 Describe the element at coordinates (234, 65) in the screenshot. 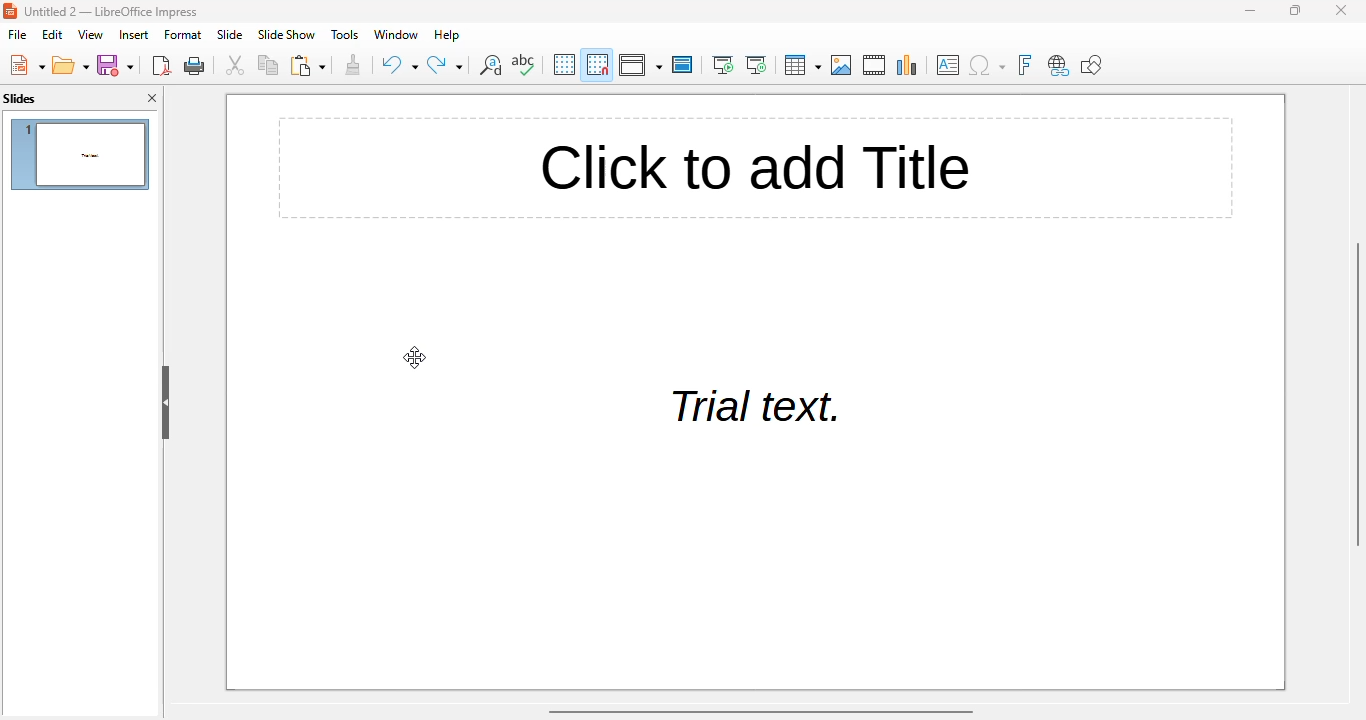

I see `cut` at that location.